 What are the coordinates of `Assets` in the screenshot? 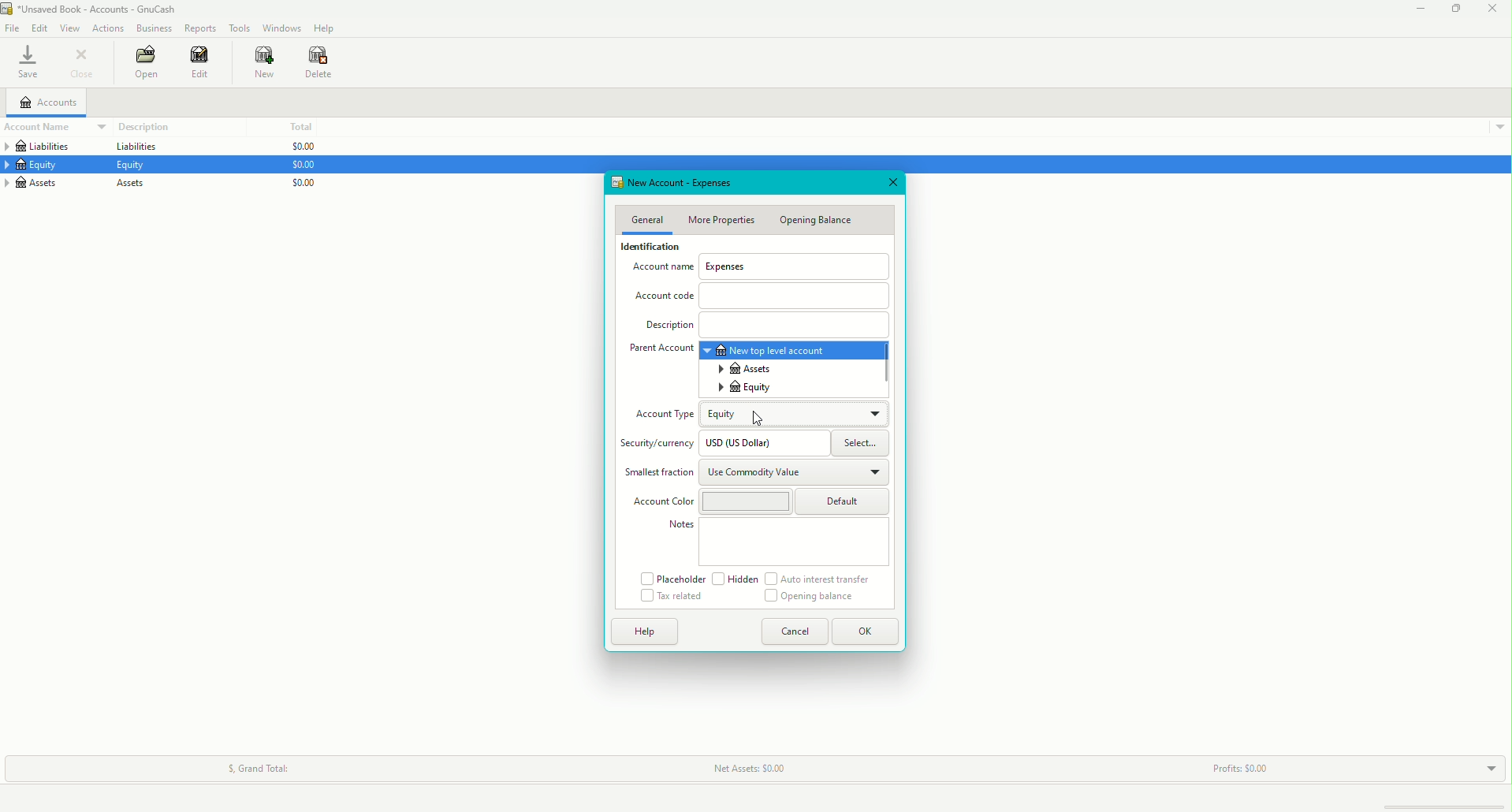 It's located at (132, 184).